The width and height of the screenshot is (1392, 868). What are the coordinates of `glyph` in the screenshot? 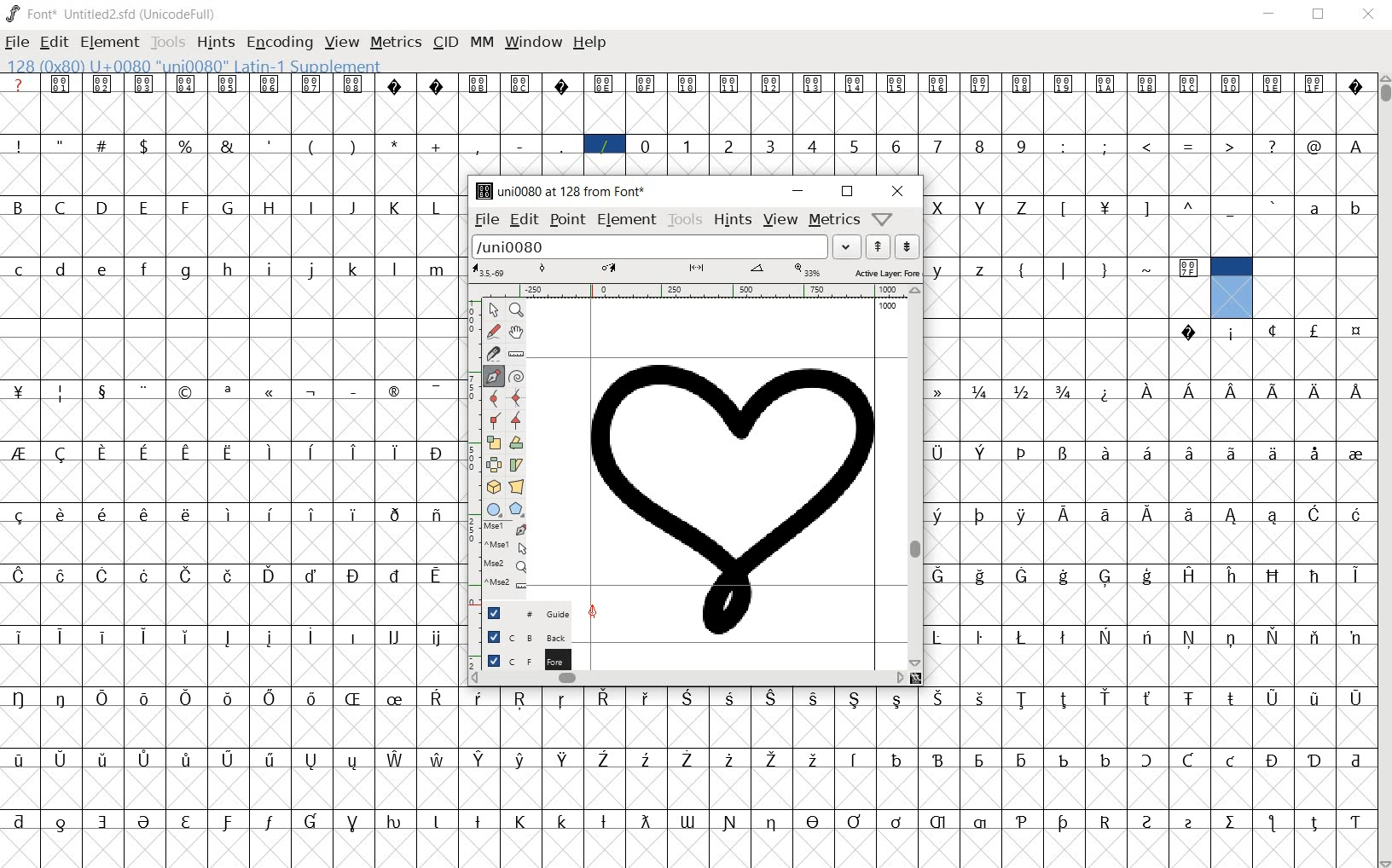 It's located at (1273, 330).